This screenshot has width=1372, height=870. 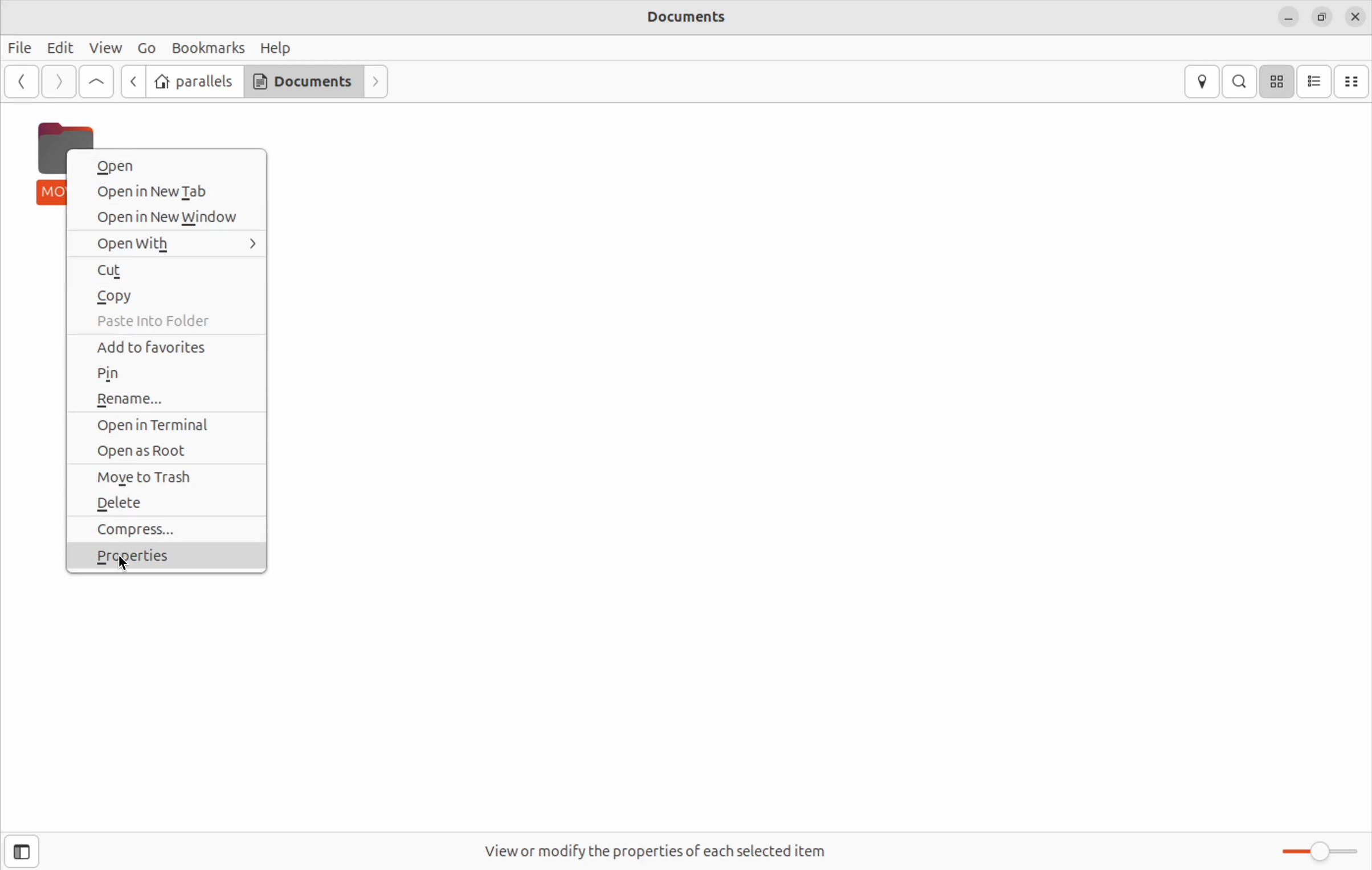 What do you see at coordinates (171, 559) in the screenshot?
I see `Properties` at bounding box center [171, 559].